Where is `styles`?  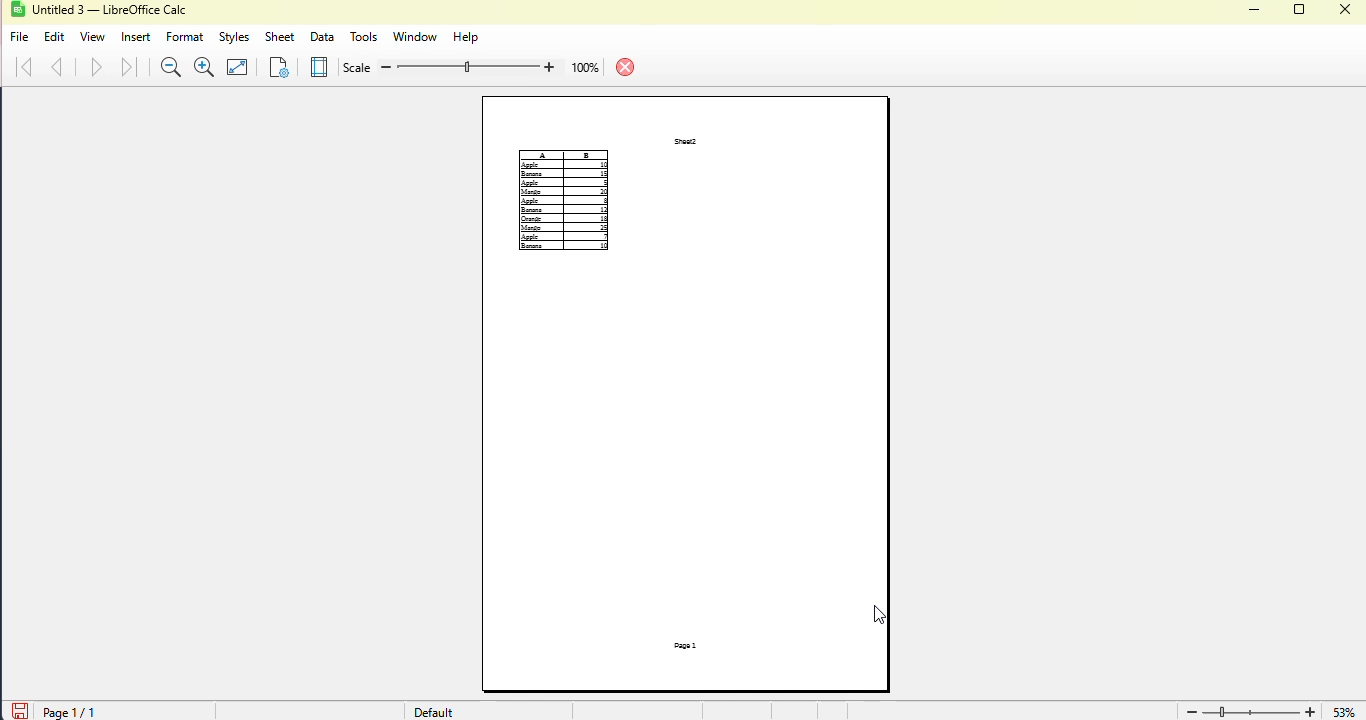
styles is located at coordinates (235, 38).